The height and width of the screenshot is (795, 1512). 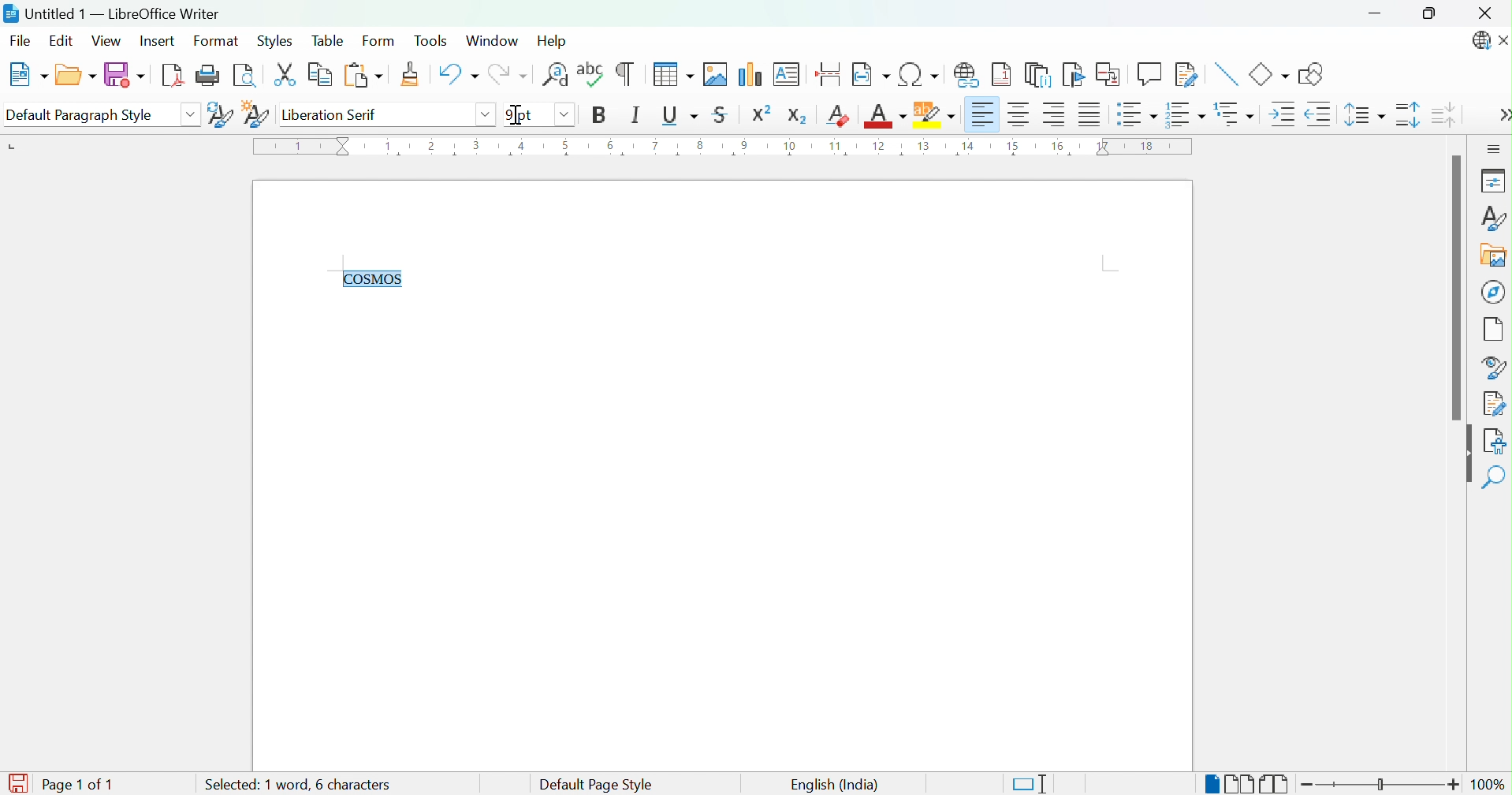 What do you see at coordinates (1211, 786) in the screenshot?
I see `Single-page view` at bounding box center [1211, 786].